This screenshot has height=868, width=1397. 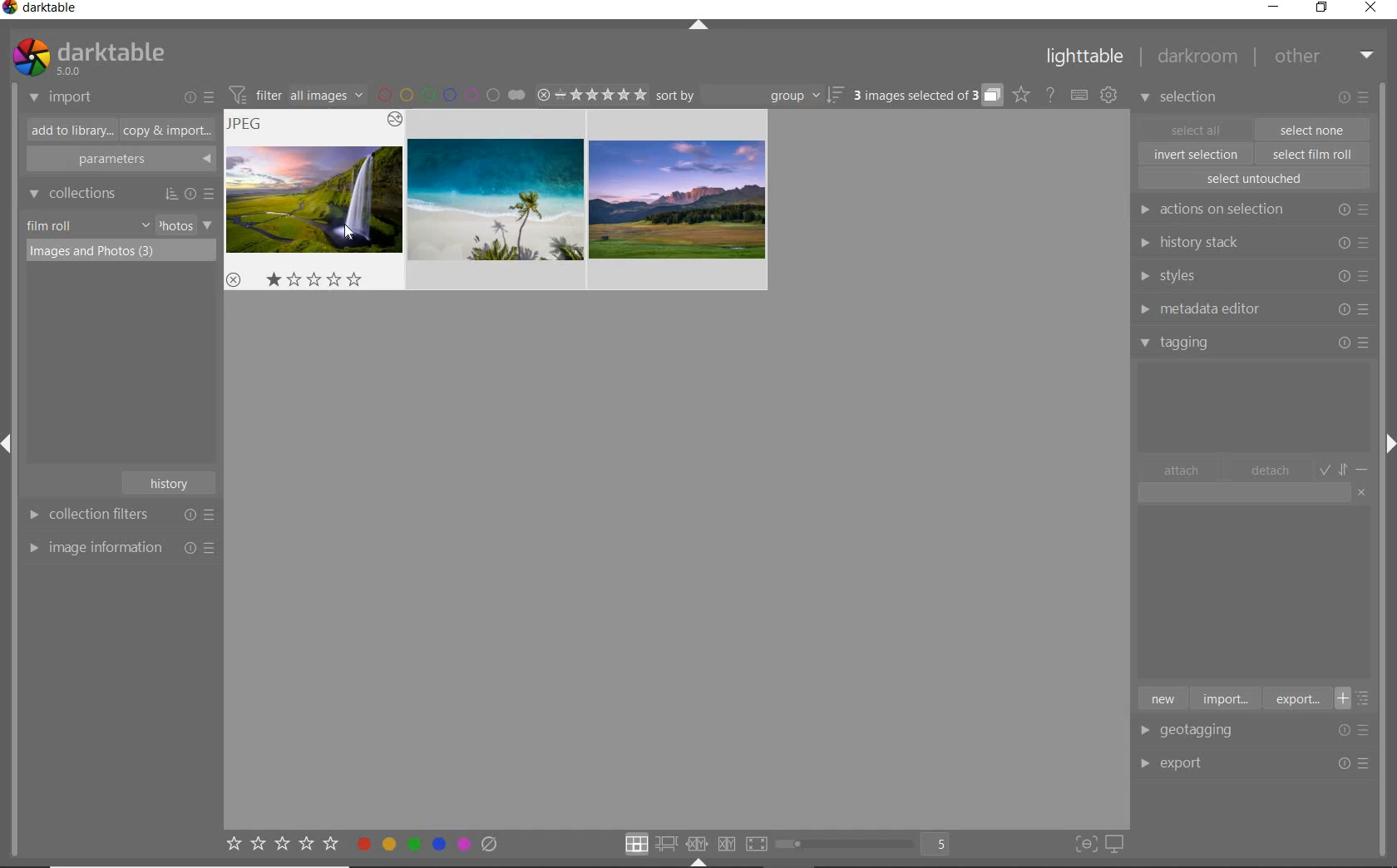 I want to click on attach, so click(x=1182, y=470).